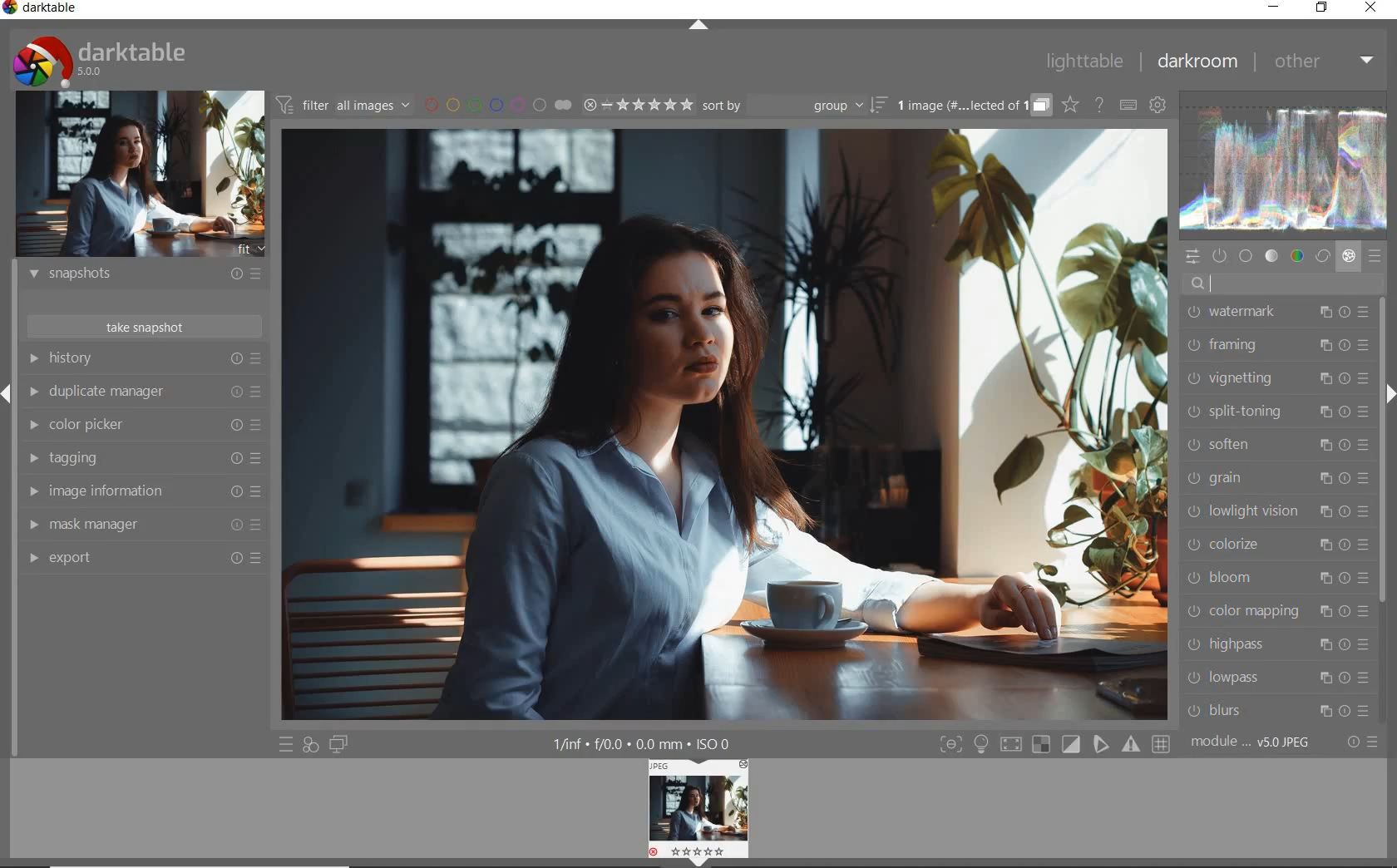 The image size is (1397, 868). I want to click on split-toning, so click(1278, 411).